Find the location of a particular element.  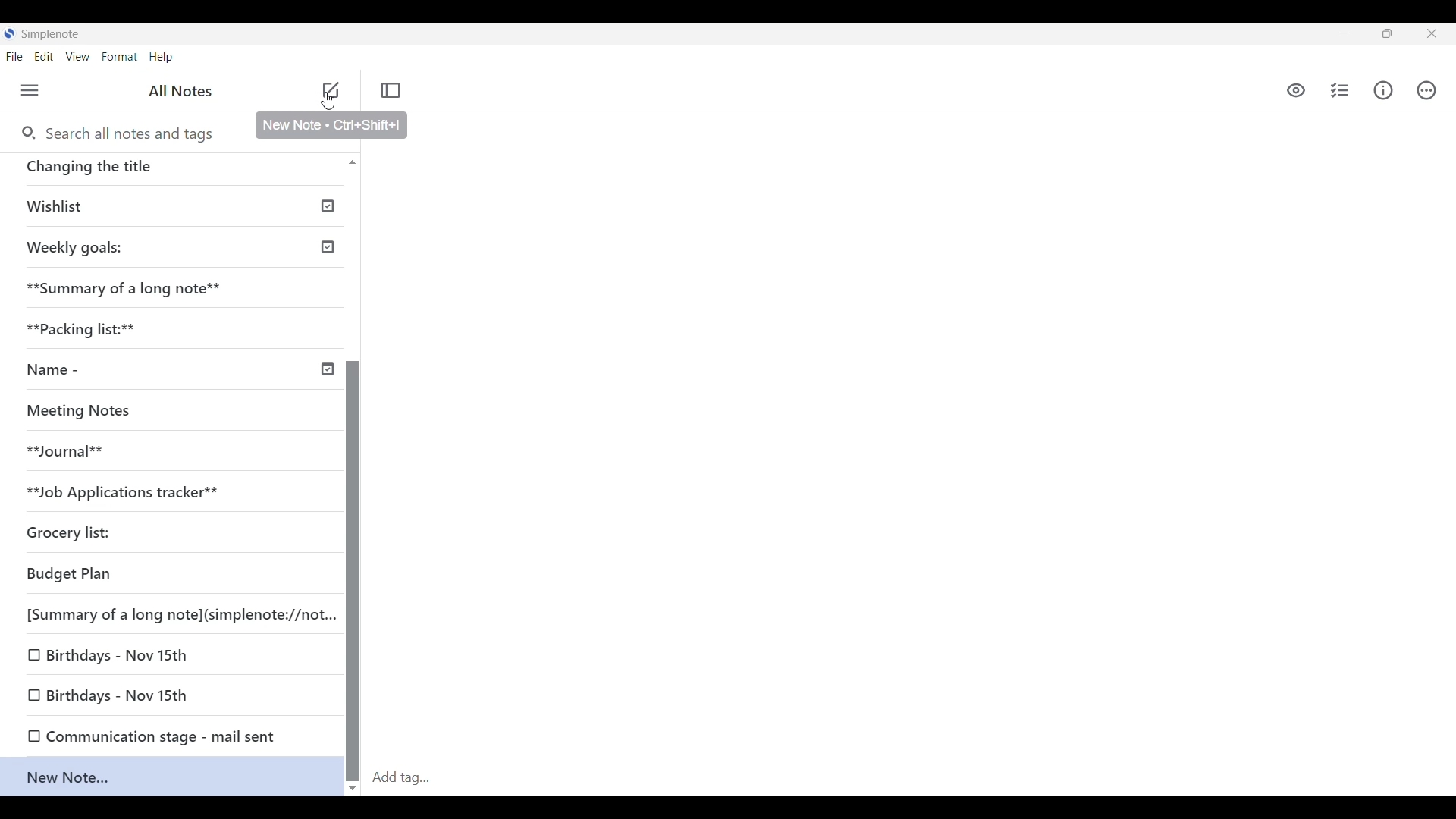

Edit menu is located at coordinates (44, 57).